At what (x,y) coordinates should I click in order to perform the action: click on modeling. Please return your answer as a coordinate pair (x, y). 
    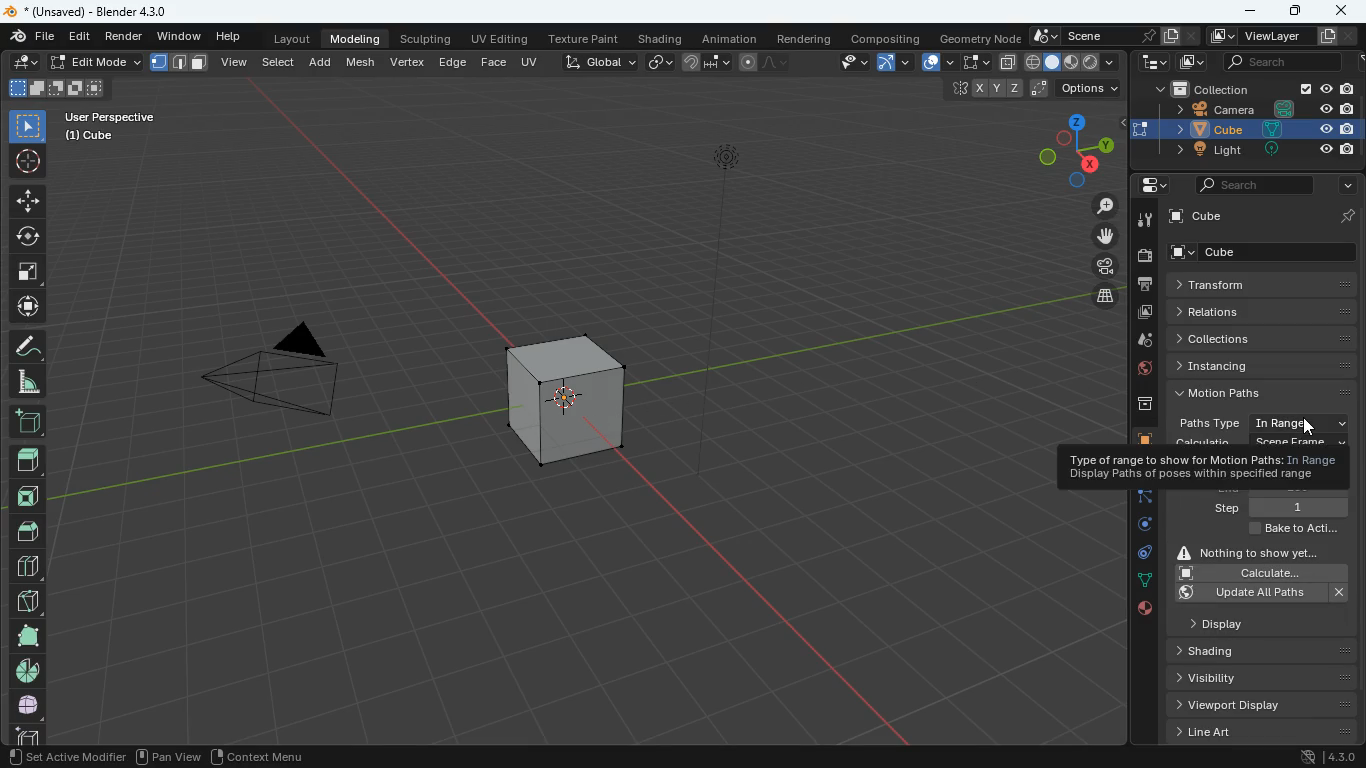
    Looking at the image, I should click on (358, 38).